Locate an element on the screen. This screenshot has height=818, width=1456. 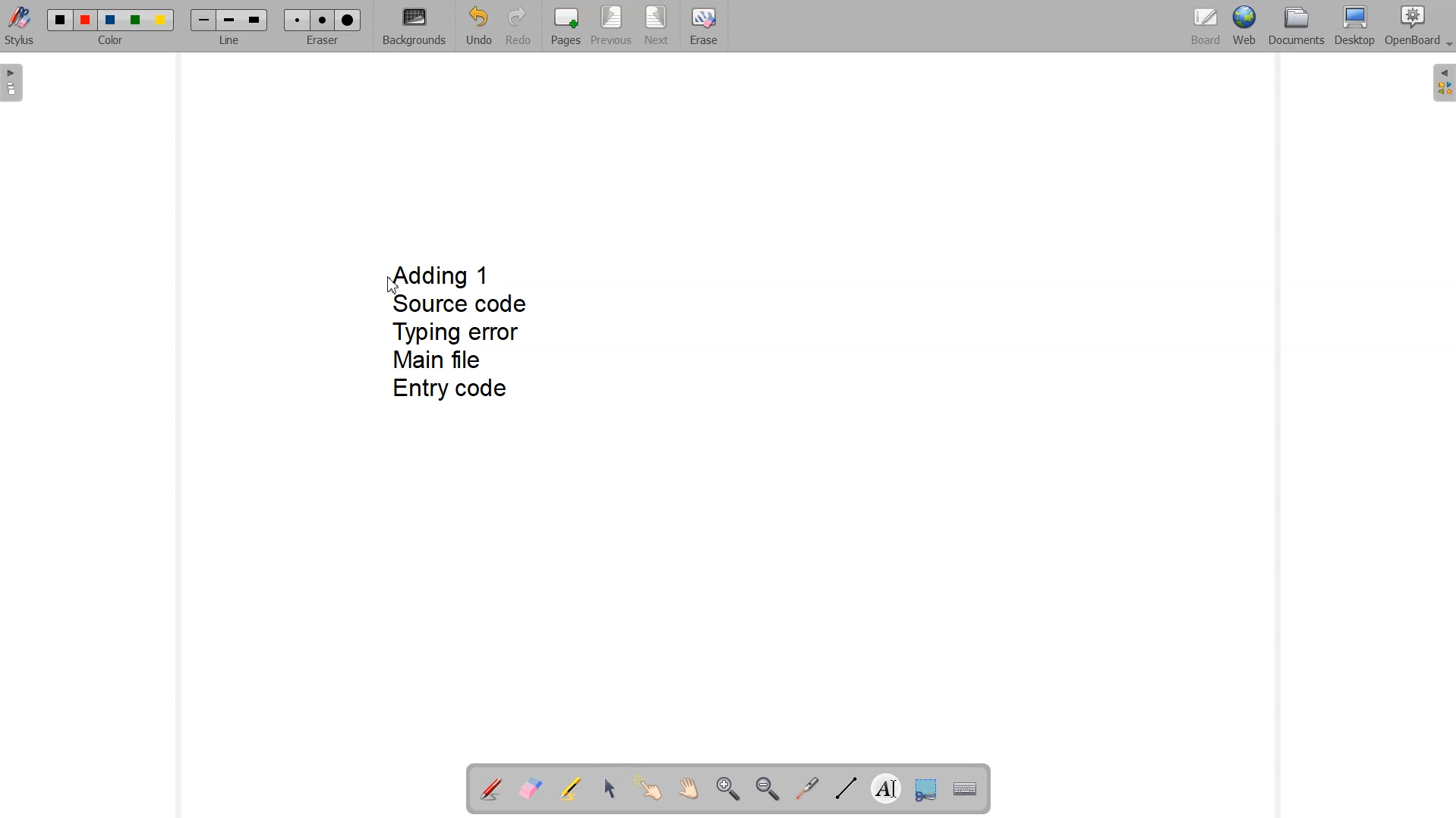
Write text is located at coordinates (886, 786).